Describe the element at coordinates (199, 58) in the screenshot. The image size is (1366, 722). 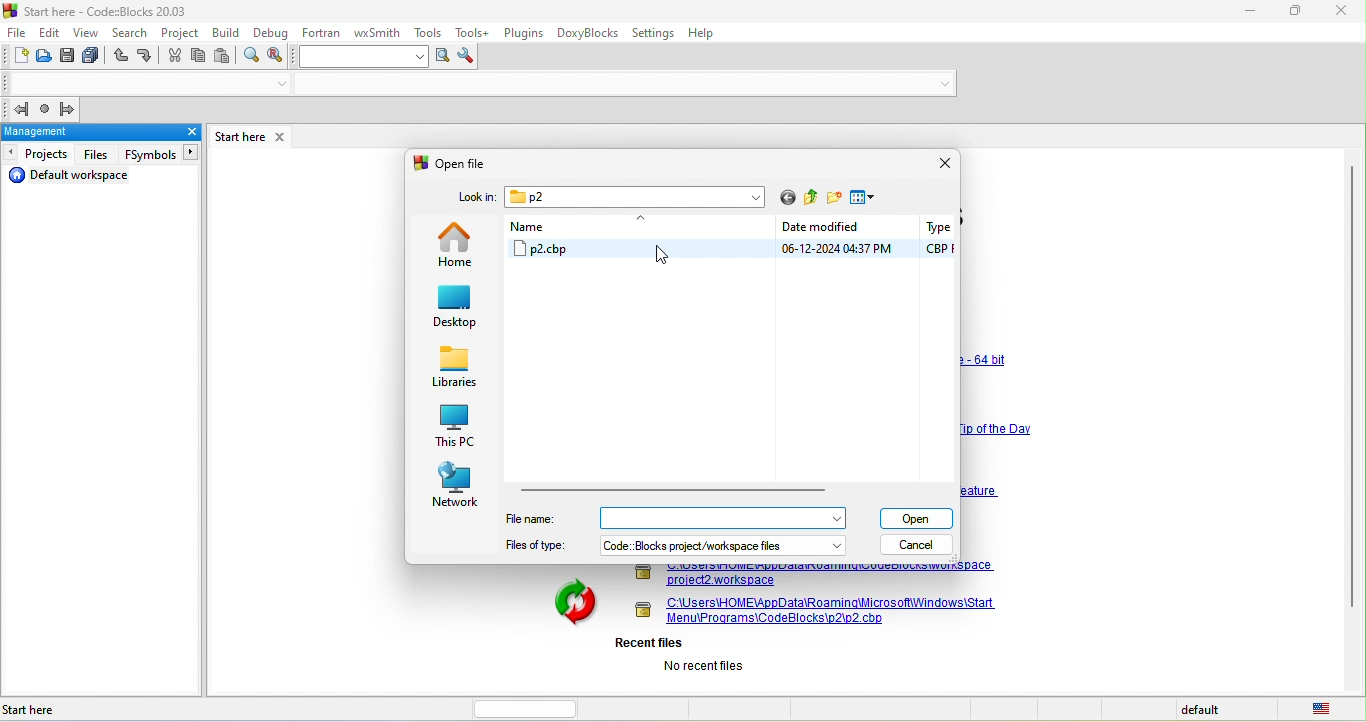
I see `copy` at that location.